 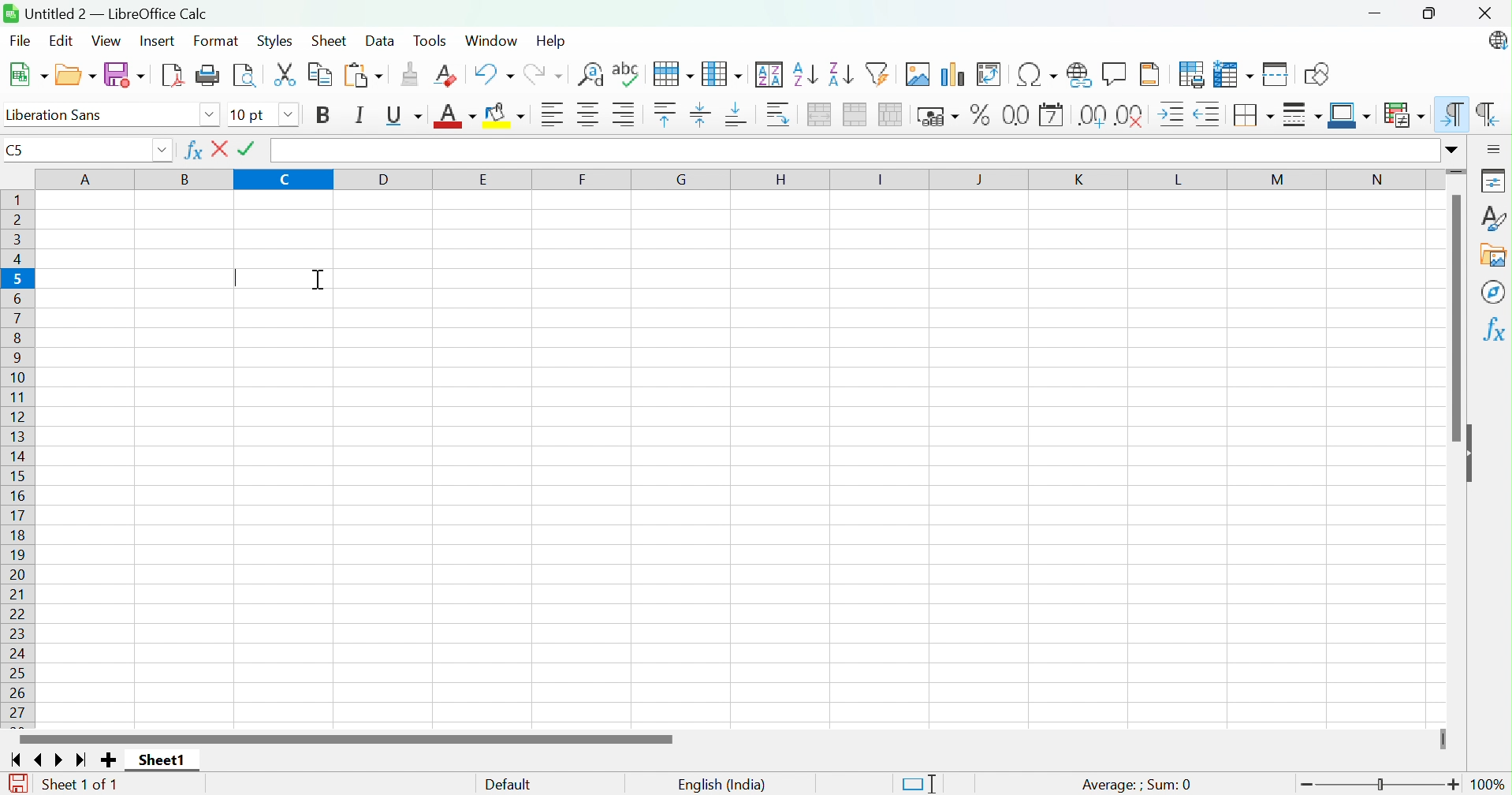 I want to click on Properties, so click(x=1492, y=179).